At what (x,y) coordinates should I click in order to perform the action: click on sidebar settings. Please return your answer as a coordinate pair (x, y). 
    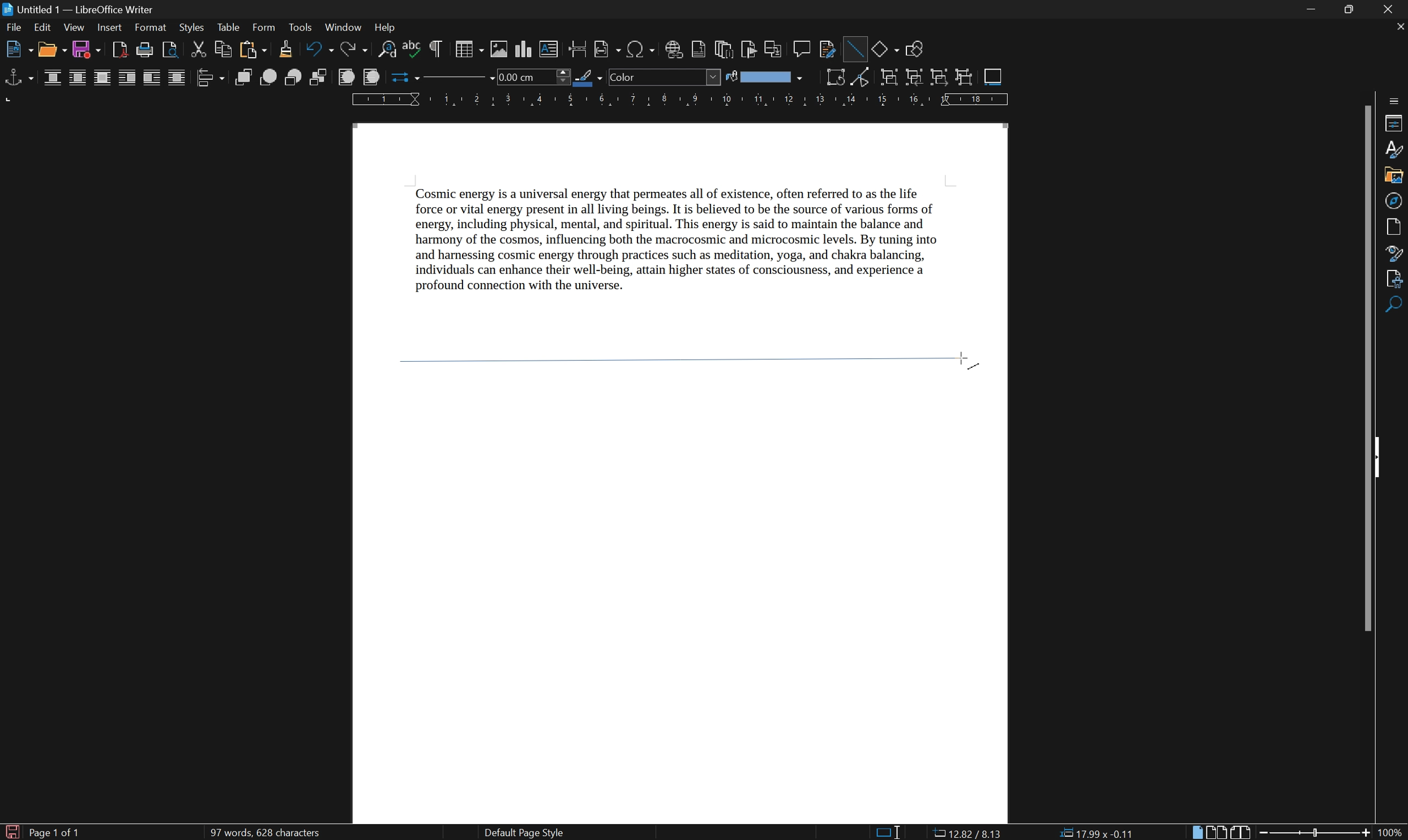
    Looking at the image, I should click on (1395, 99).